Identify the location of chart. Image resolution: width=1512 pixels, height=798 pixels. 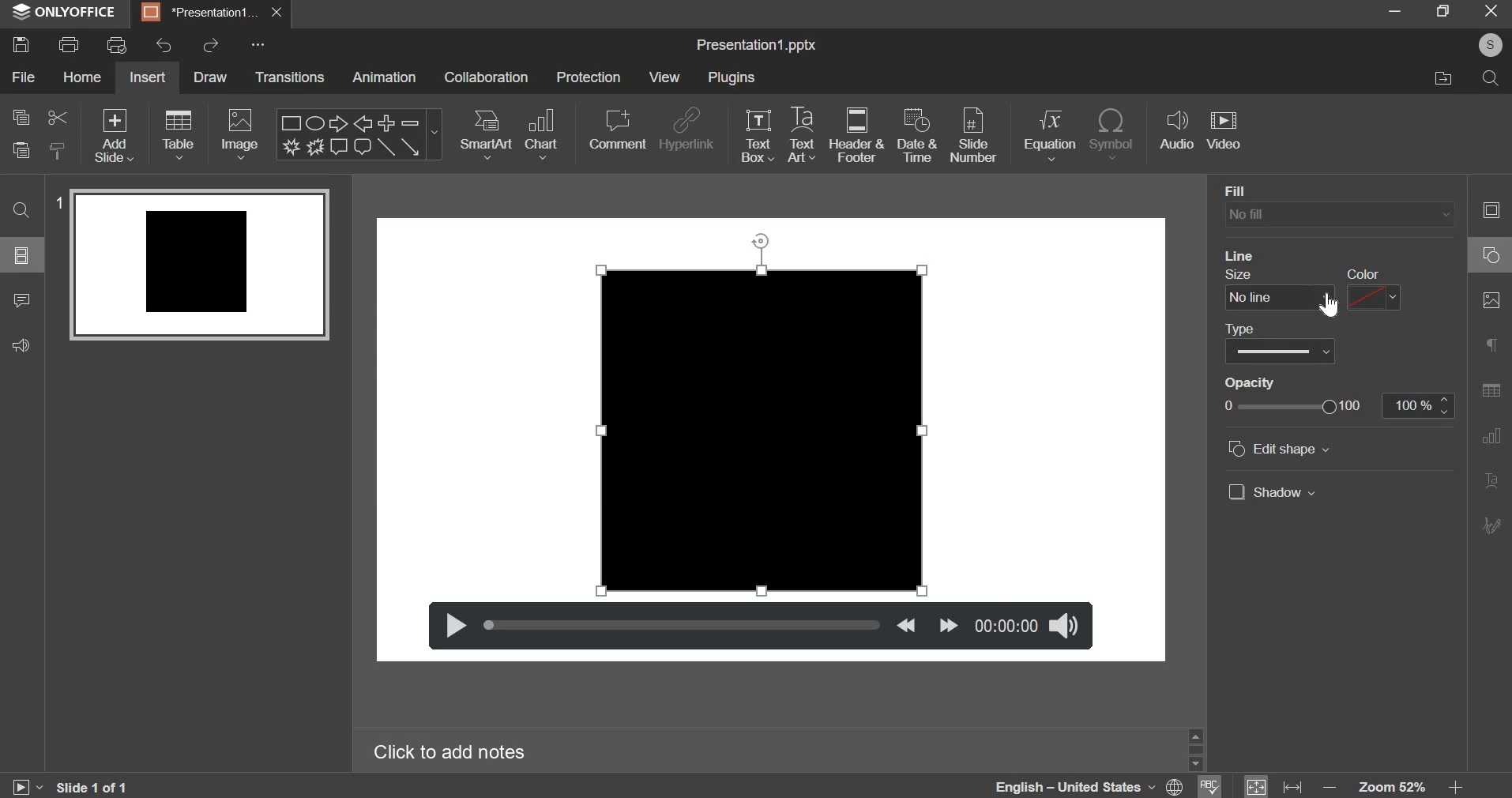
(540, 134).